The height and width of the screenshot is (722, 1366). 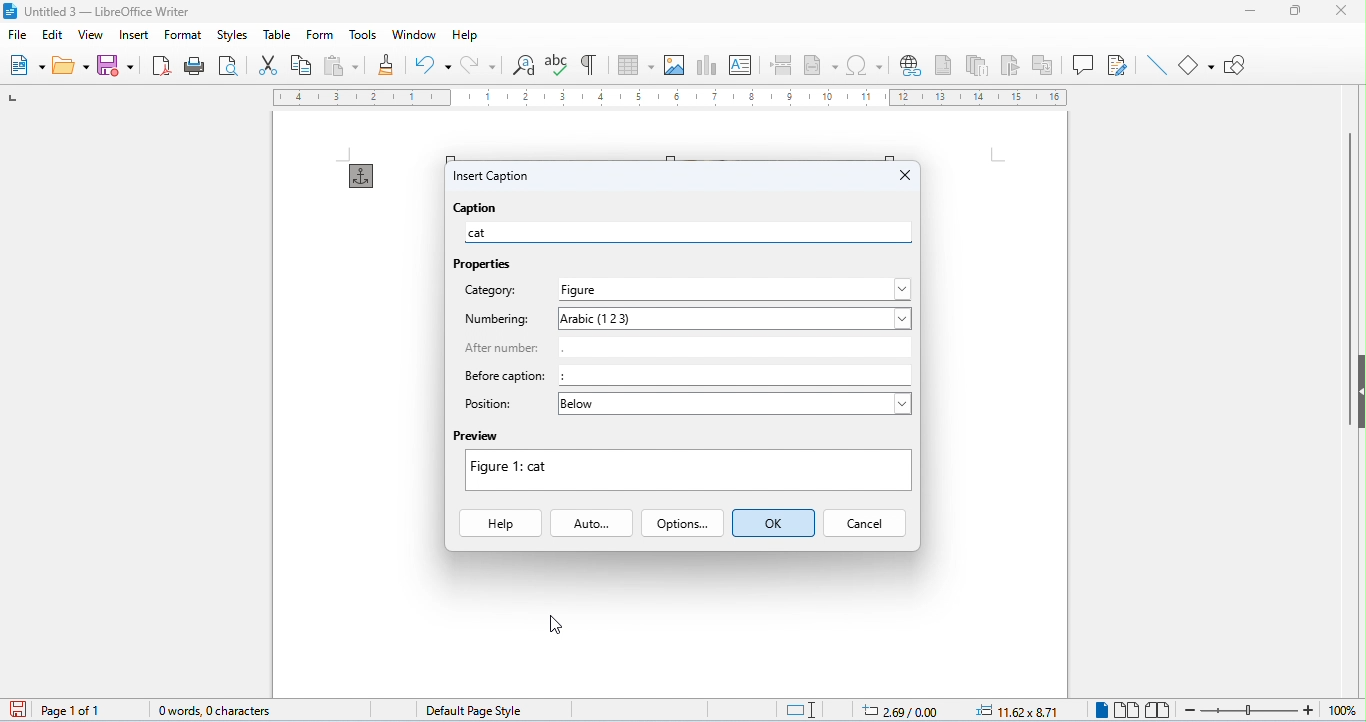 What do you see at coordinates (1099, 710) in the screenshot?
I see `single view` at bounding box center [1099, 710].